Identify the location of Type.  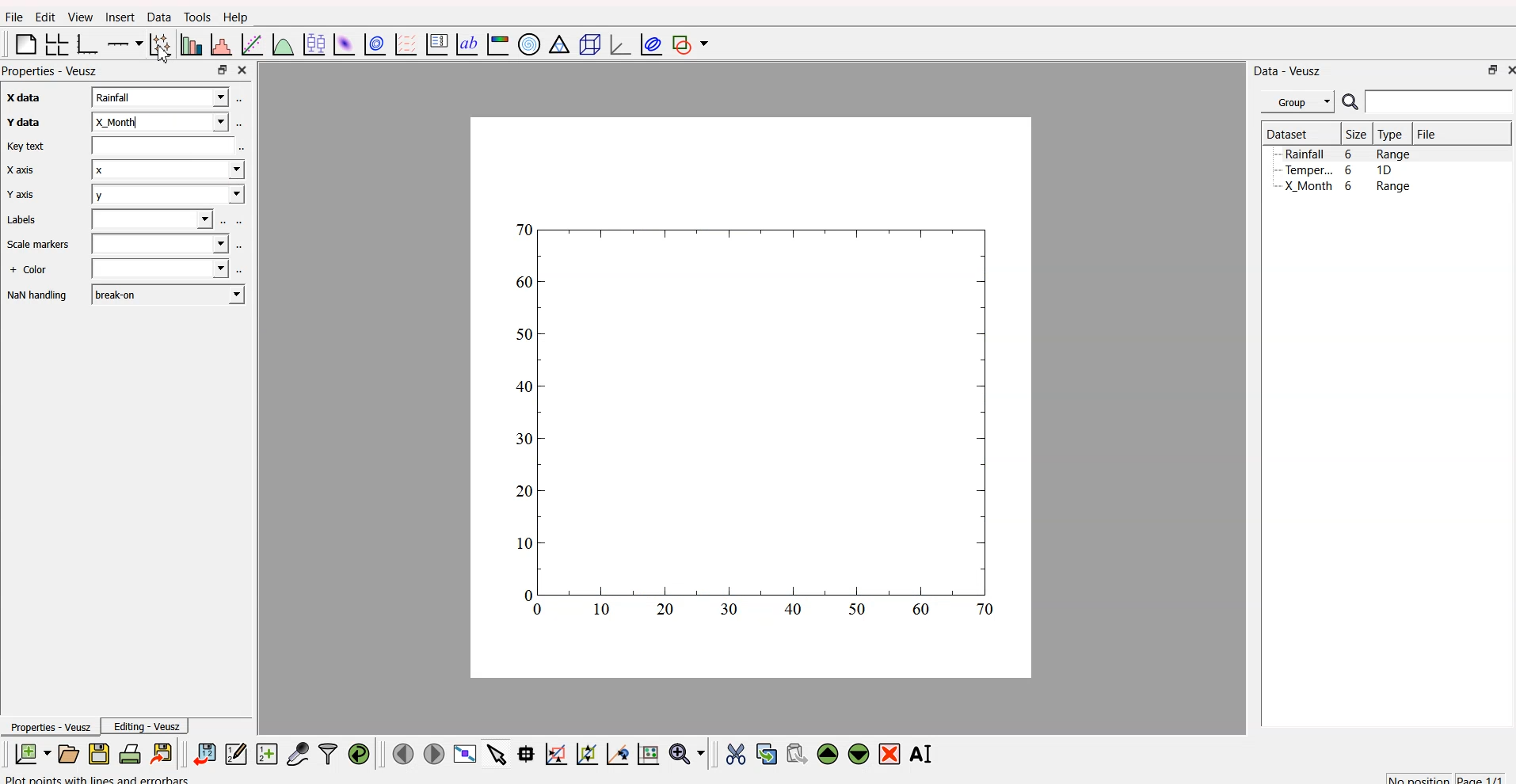
(1391, 135).